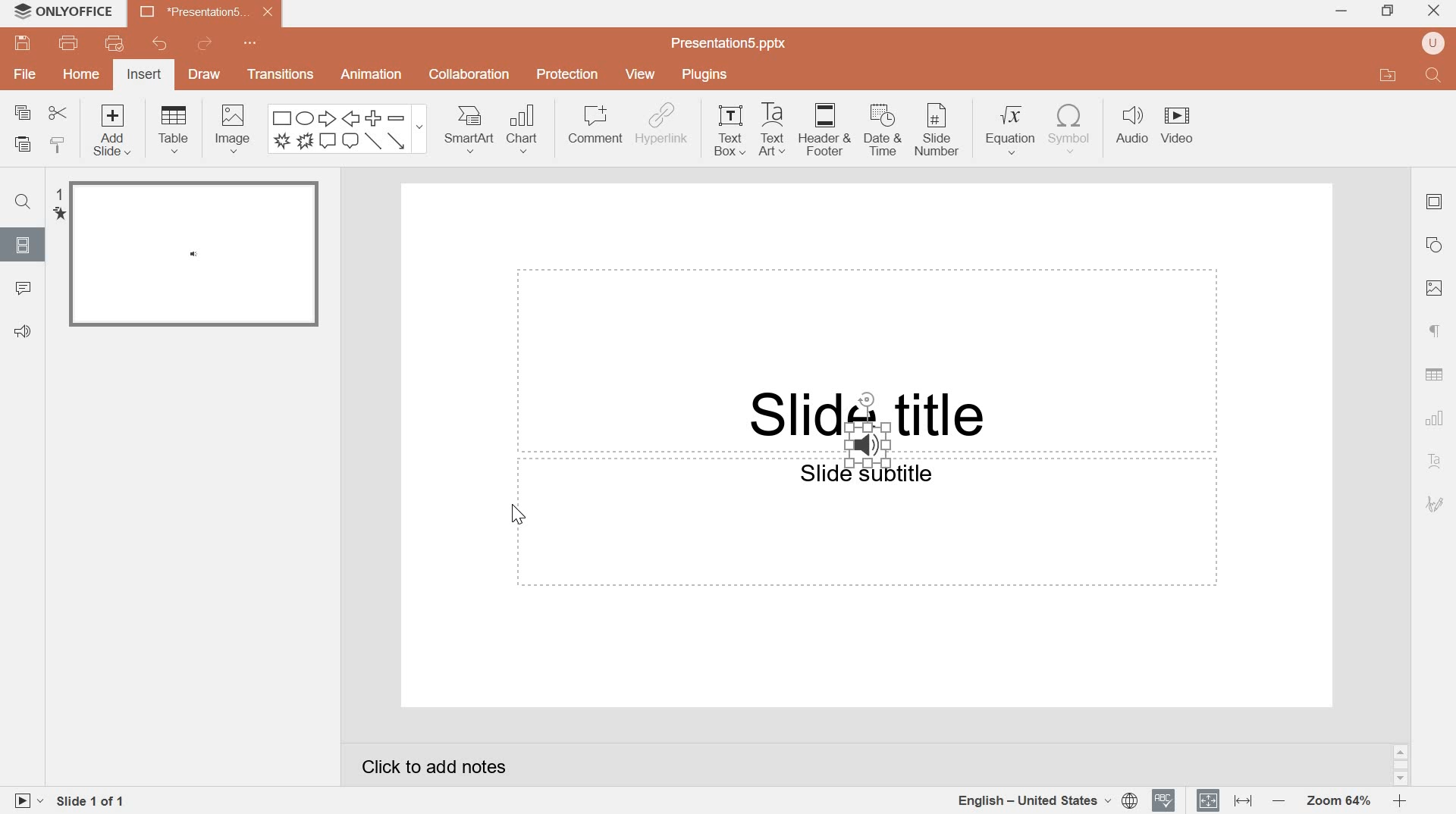  Describe the element at coordinates (1401, 752) in the screenshot. I see `scroll up` at that location.